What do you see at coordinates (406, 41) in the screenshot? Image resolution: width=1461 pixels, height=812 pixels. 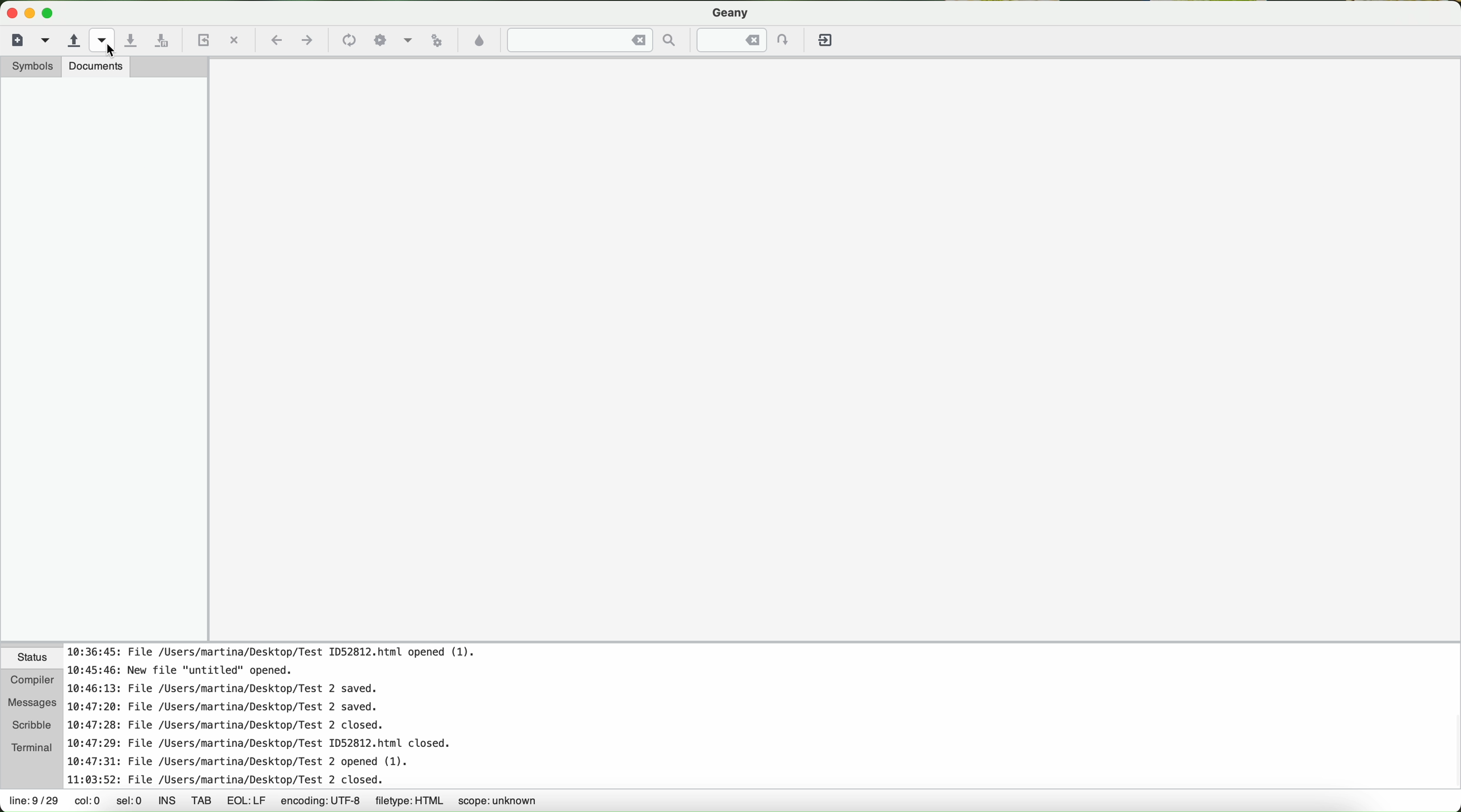 I see `icon` at bounding box center [406, 41].